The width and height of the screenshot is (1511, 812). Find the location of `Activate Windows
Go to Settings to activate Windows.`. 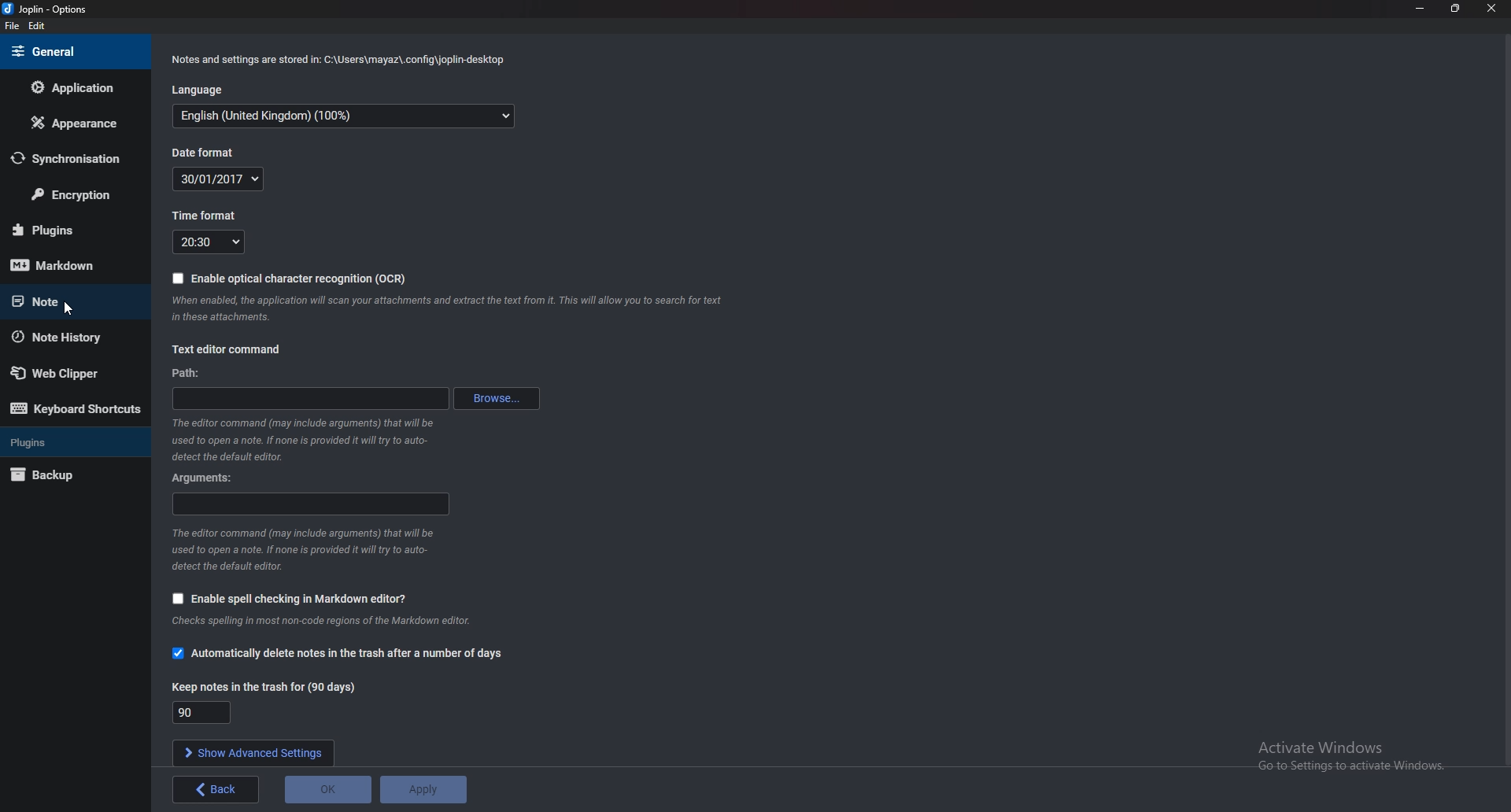

Activate Windows
Go to Settings to activate Windows. is located at coordinates (1353, 755).